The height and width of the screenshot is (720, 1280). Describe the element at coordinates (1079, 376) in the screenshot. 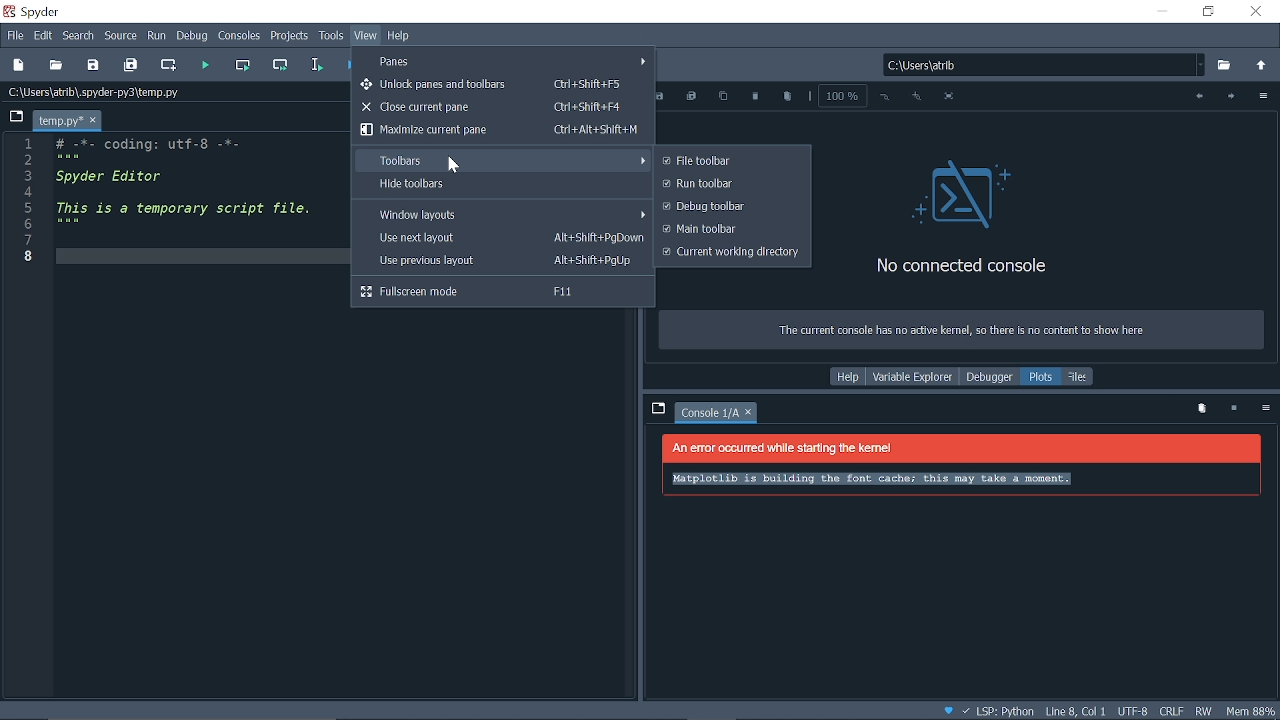

I see `Files` at that location.